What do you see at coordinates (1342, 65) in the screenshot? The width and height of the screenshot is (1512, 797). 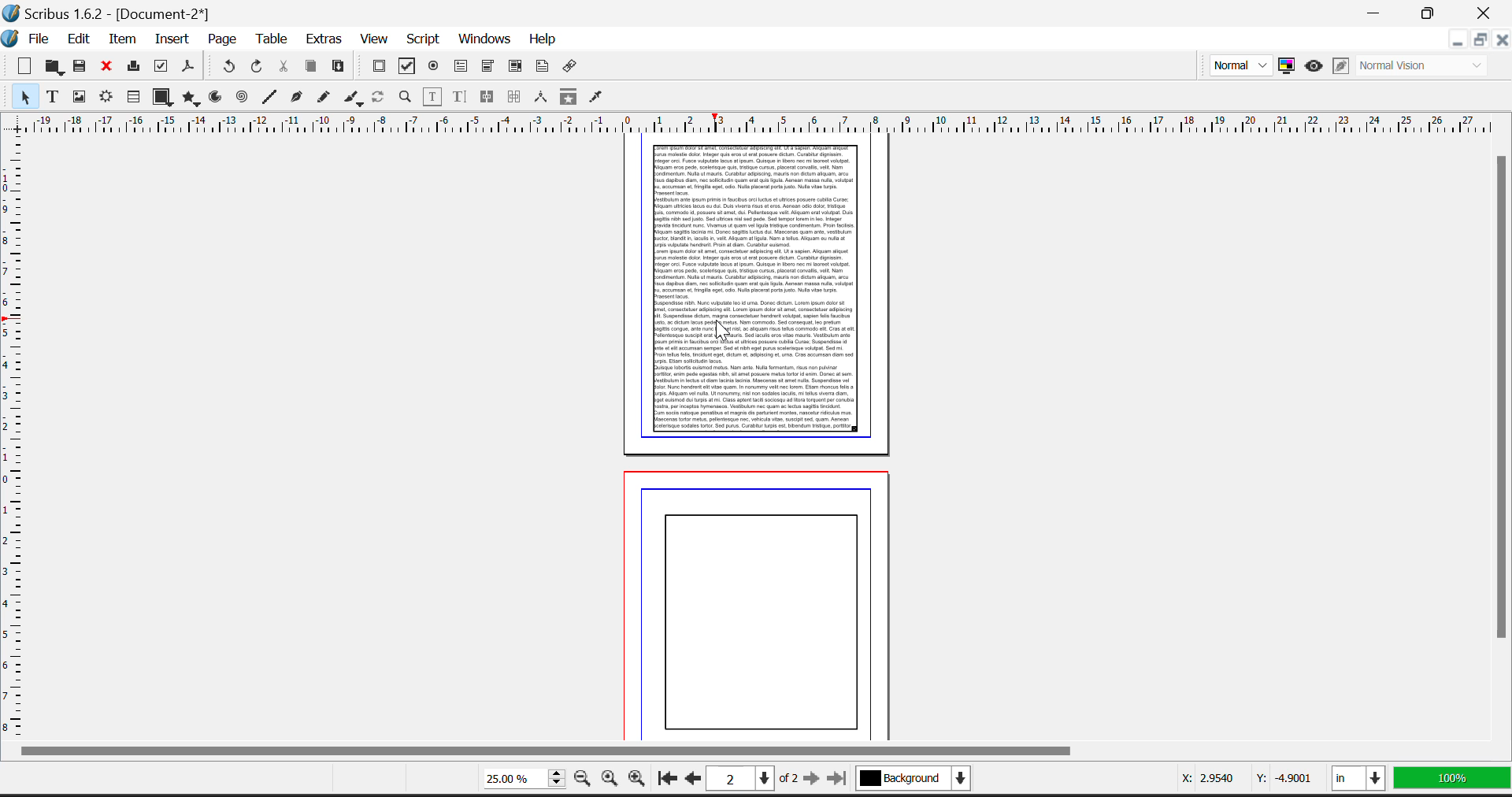 I see `Edit in Preview Mode` at bounding box center [1342, 65].